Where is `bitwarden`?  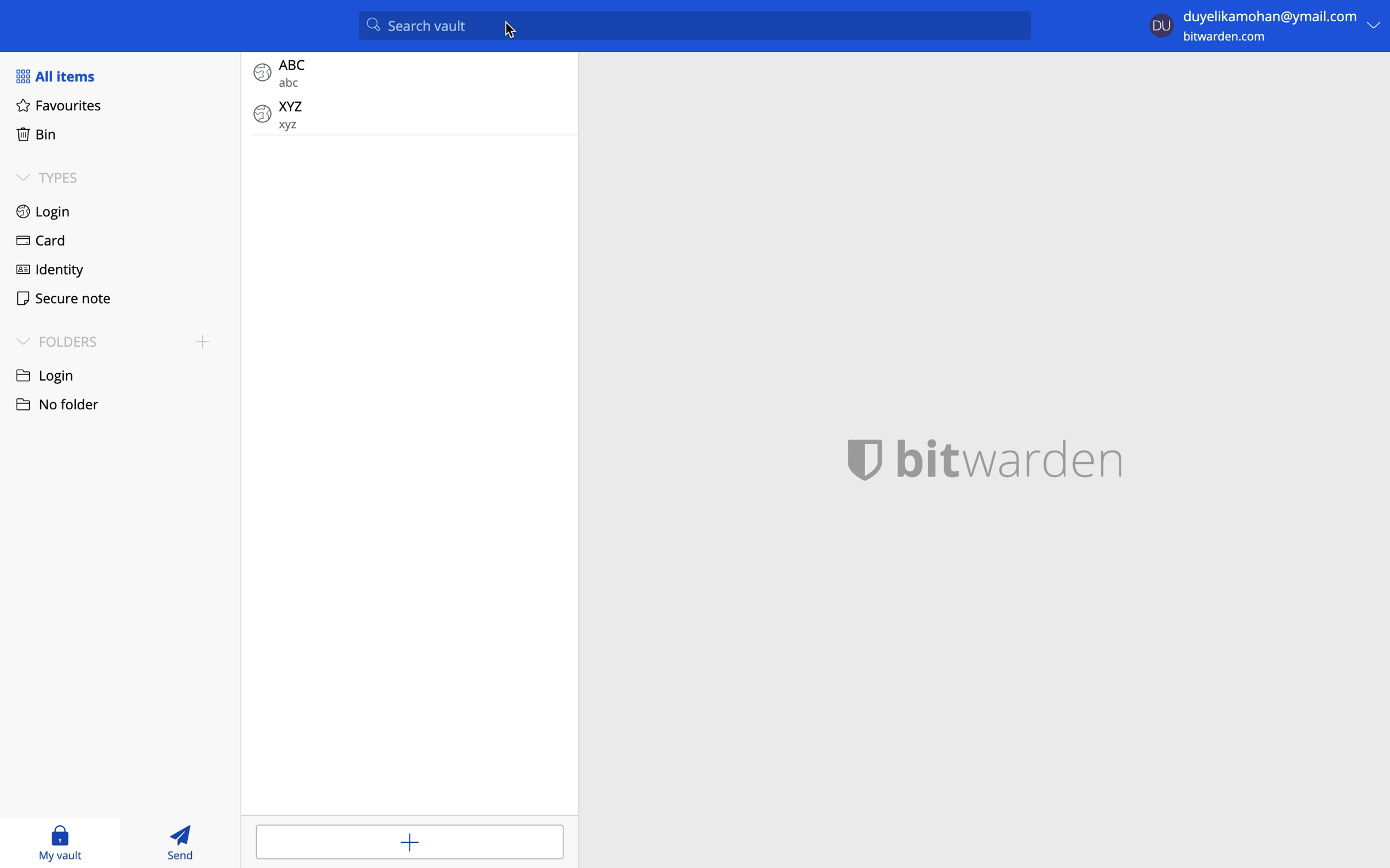
bitwarden is located at coordinates (987, 459).